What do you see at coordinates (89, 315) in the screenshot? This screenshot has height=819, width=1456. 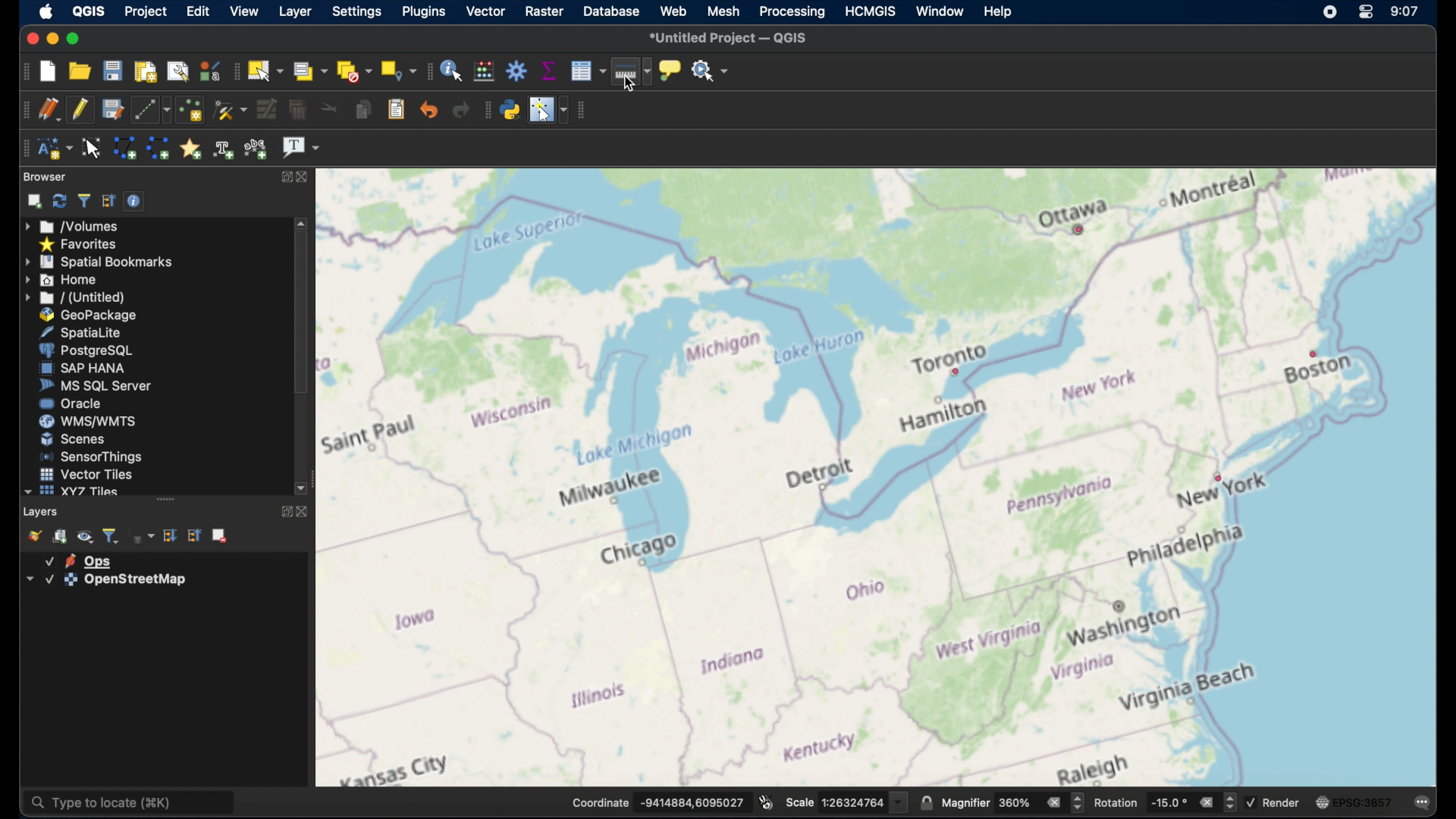 I see `geopackage` at bounding box center [89, 315].